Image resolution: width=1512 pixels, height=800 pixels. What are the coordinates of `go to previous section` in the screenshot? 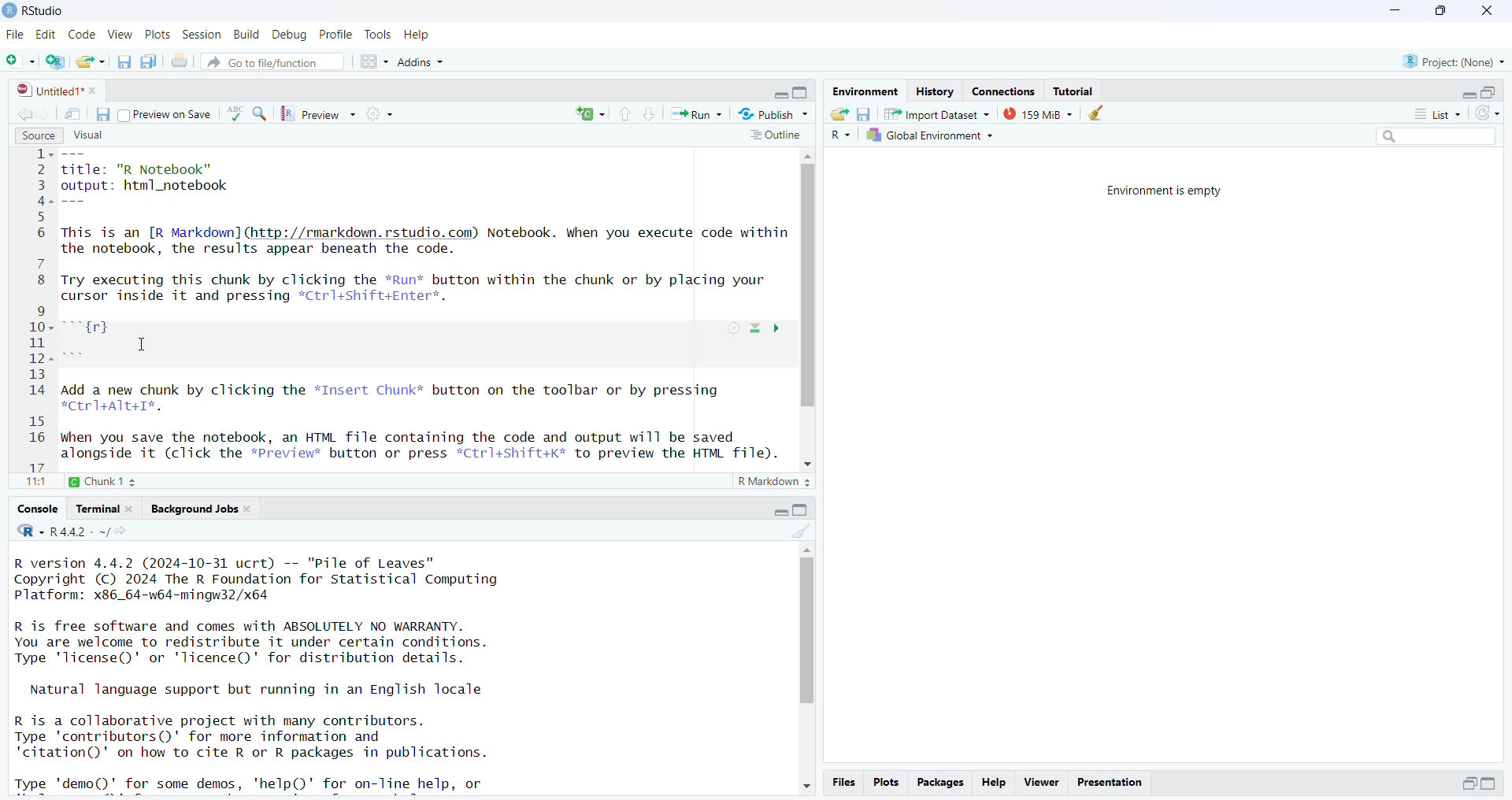 It's located at (624, 114).